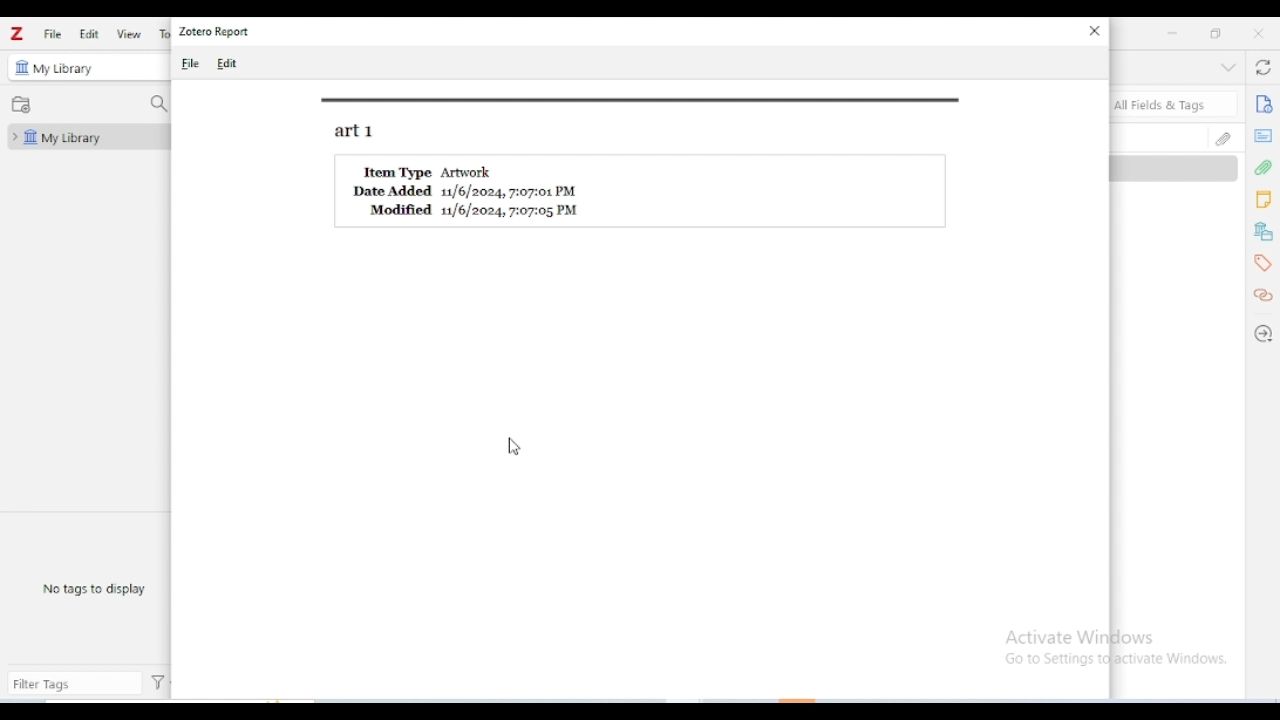  What do you see at coordinates (1119, 660) in the screenshot?
I see `Go to Settings to activate Windows.` at bounding box center [1119, 660].